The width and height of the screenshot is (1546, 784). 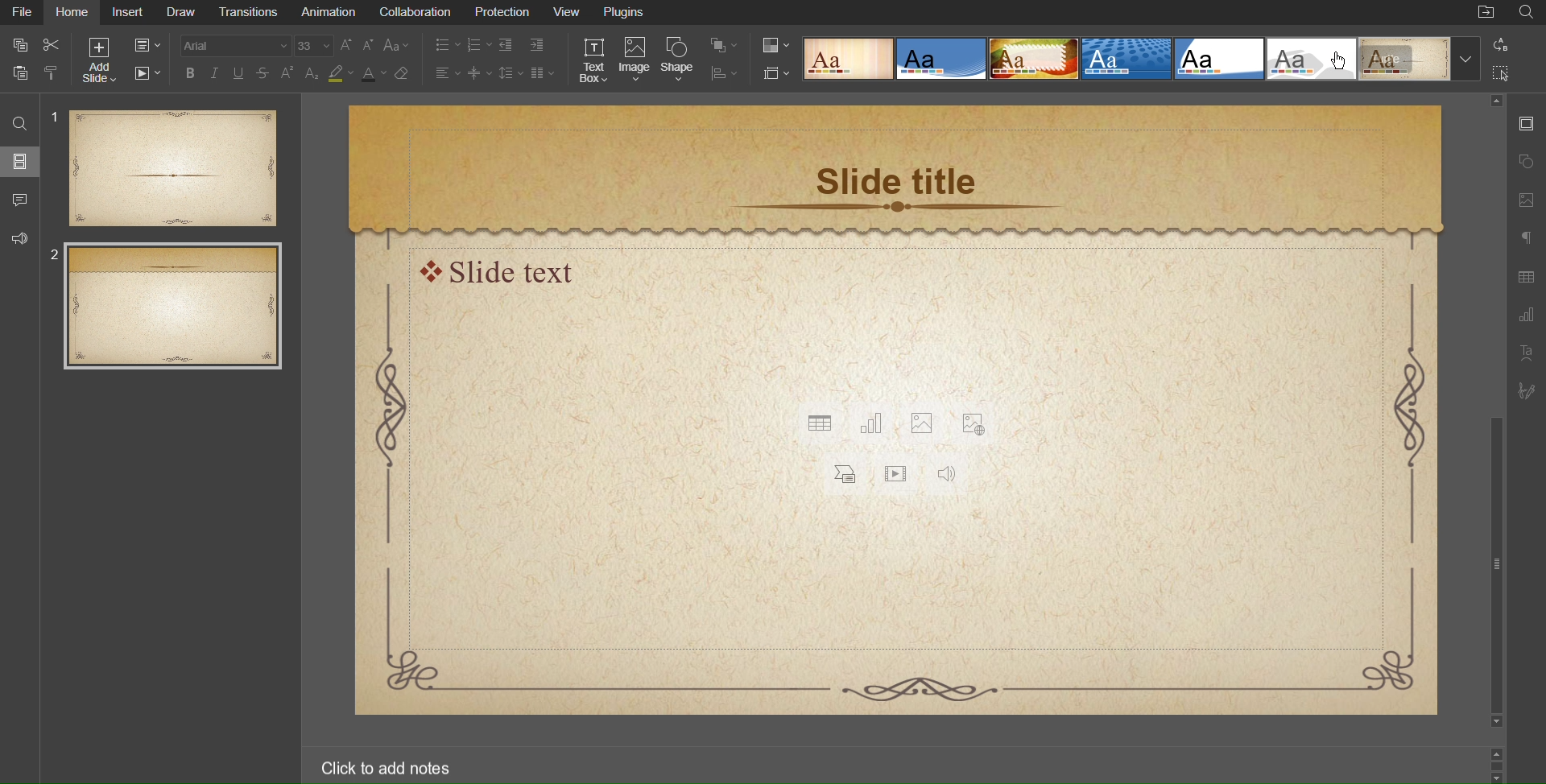 What do you see at coordinates (216, 73) in the screenshot?
I see `Italic` at bounding box center [216, 73].